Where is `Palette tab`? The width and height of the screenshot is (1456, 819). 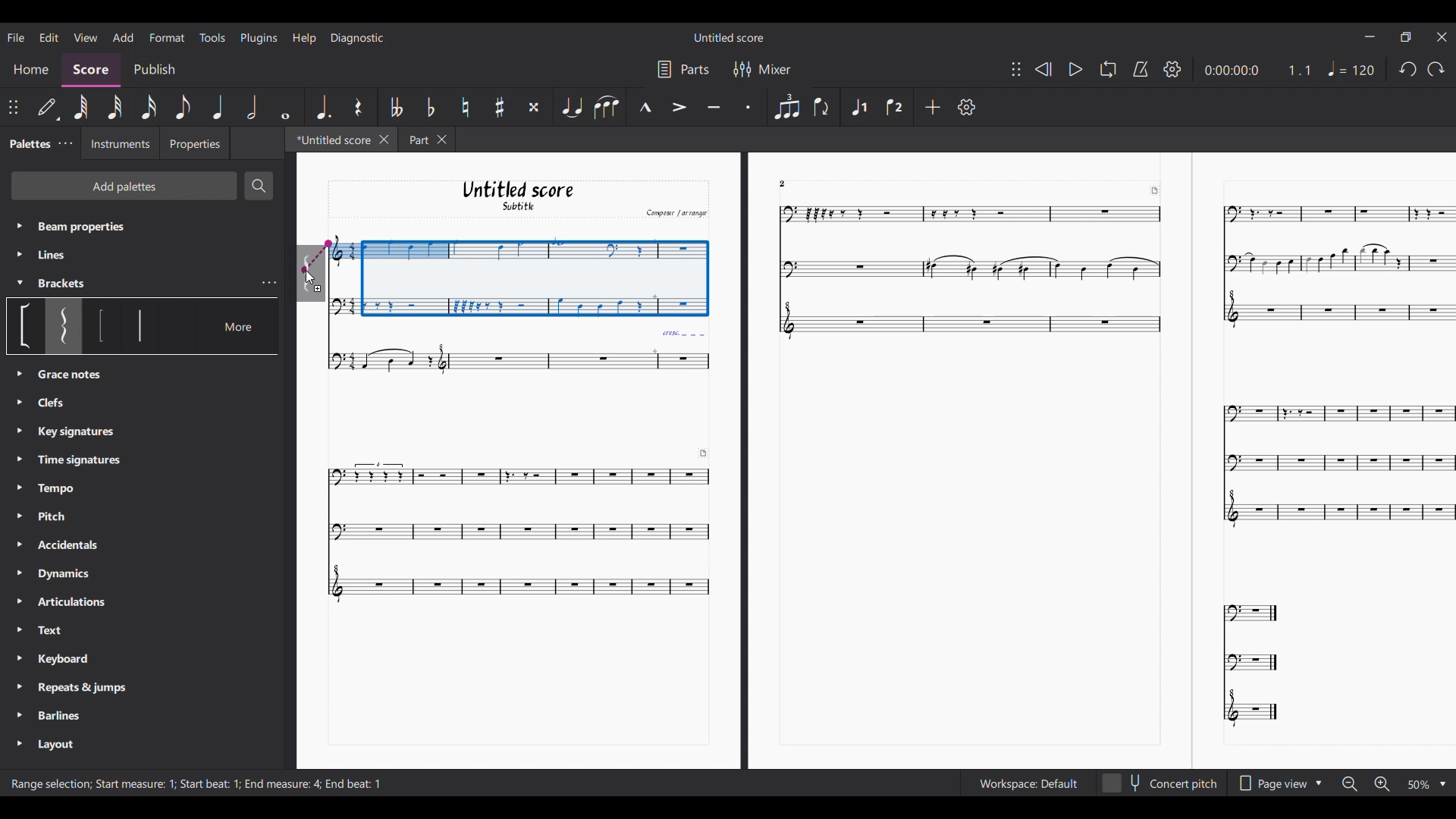
Palette tab is located at coordinates (29, 143).